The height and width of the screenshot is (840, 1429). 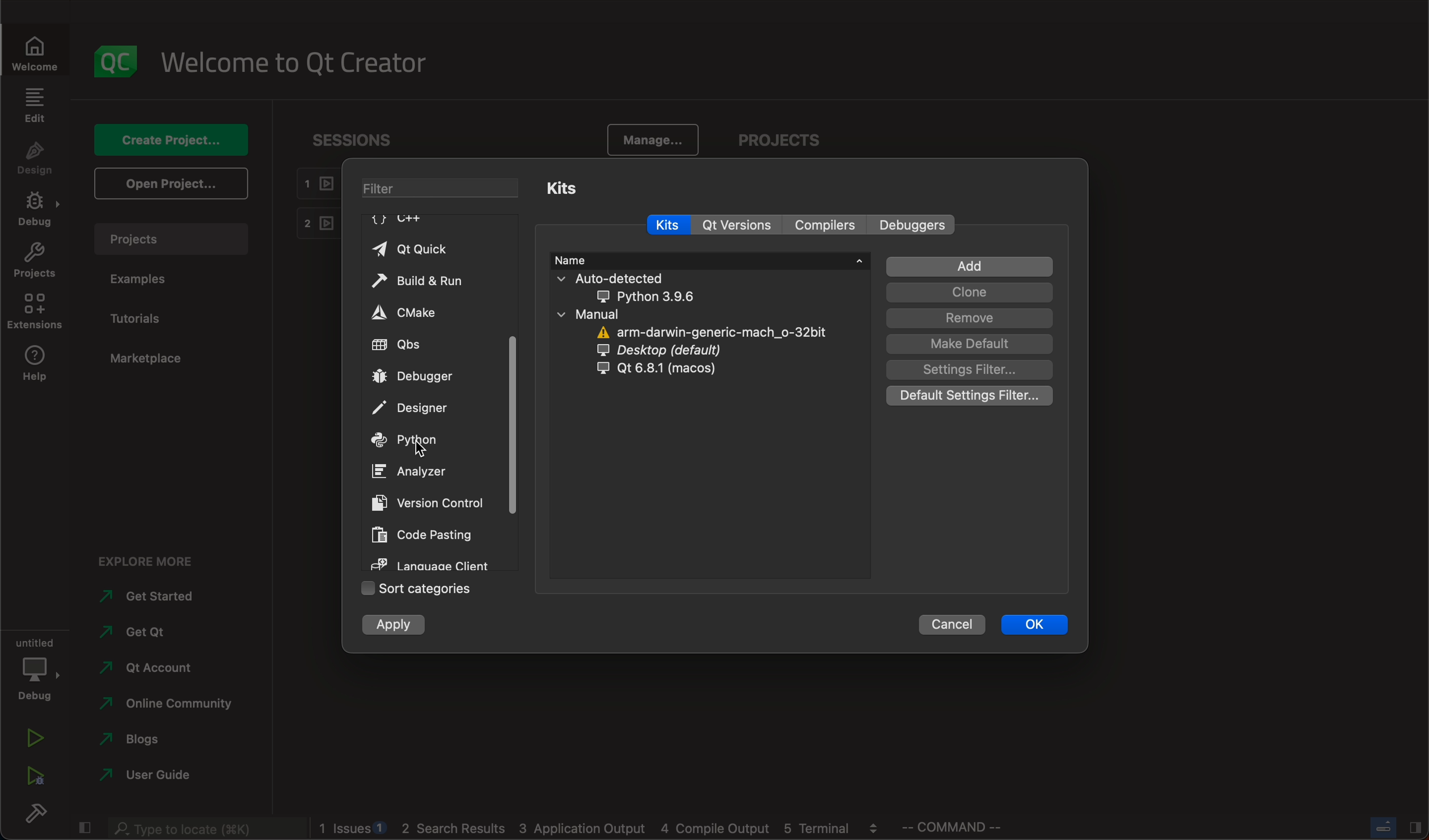 I want to click on cancel, so click(x=949, y=623).